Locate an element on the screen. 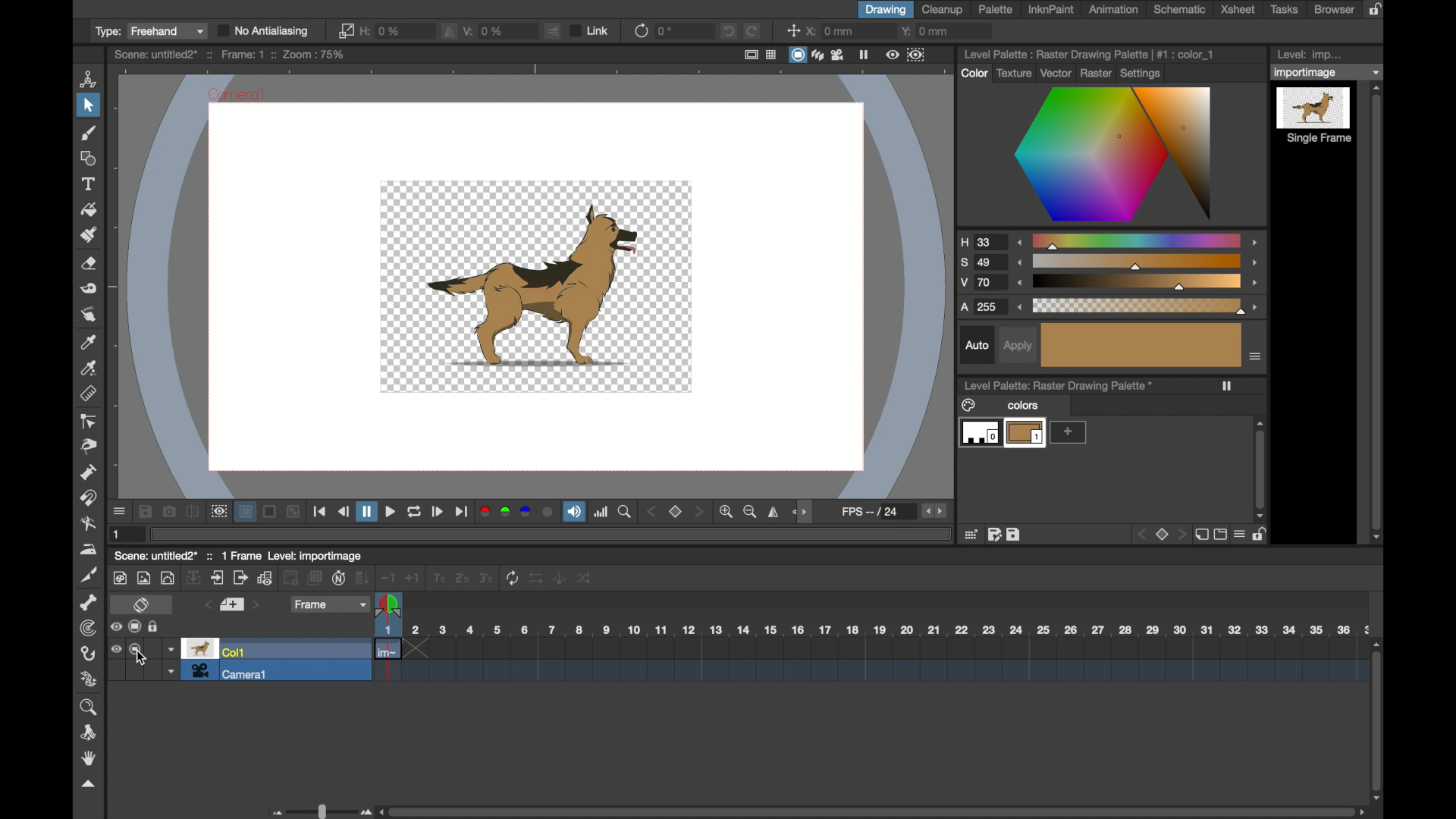 This screenshot has height=819, width=1456. histogram is located at coordinates (602, 513).